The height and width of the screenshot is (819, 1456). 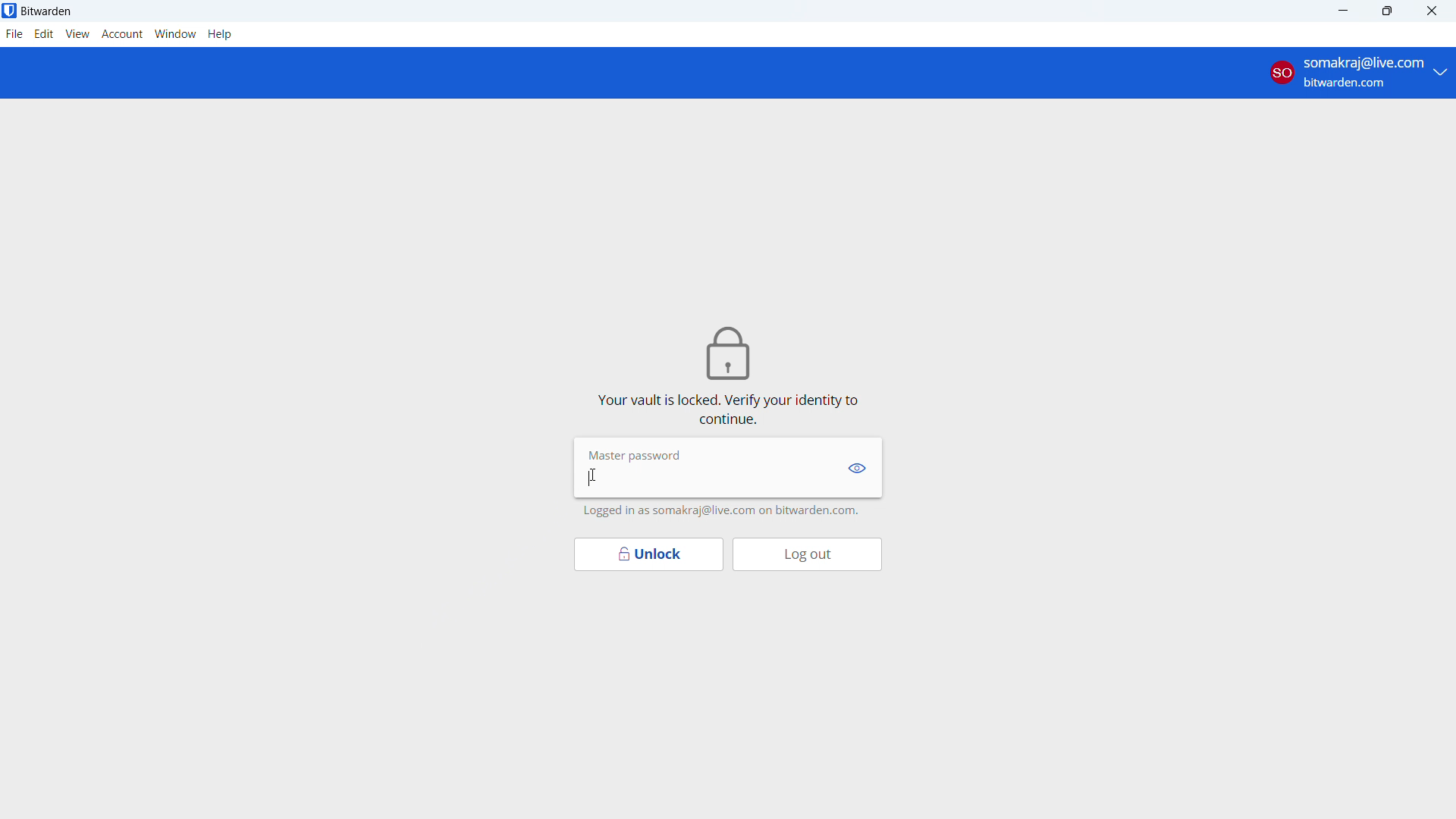 What do you see at coordinates (807, 554) in the screenshot?
I see `log out` at bounding box center [807, 554].